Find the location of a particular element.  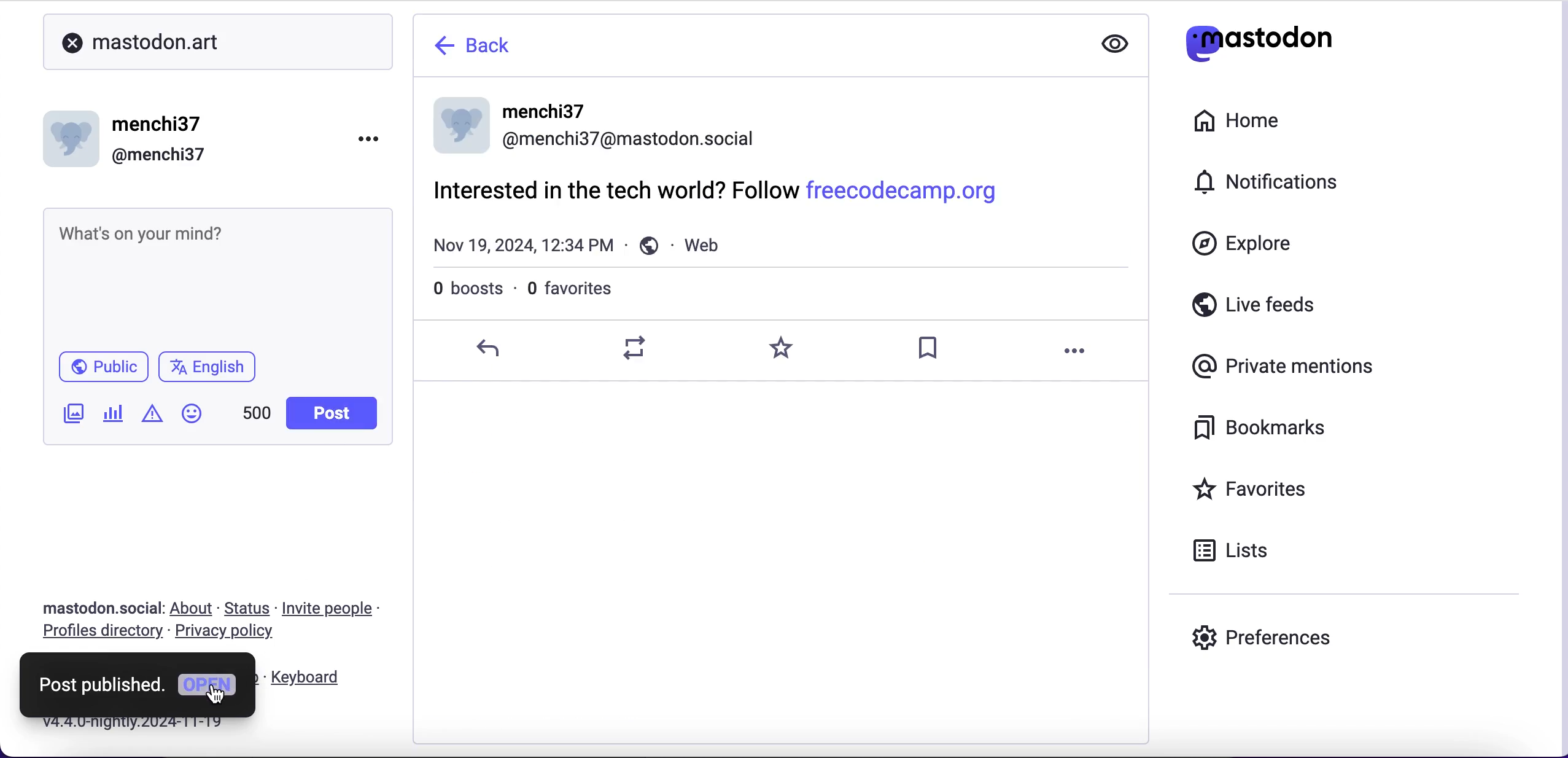

bookmarks is located at coordinates (1257, 427).